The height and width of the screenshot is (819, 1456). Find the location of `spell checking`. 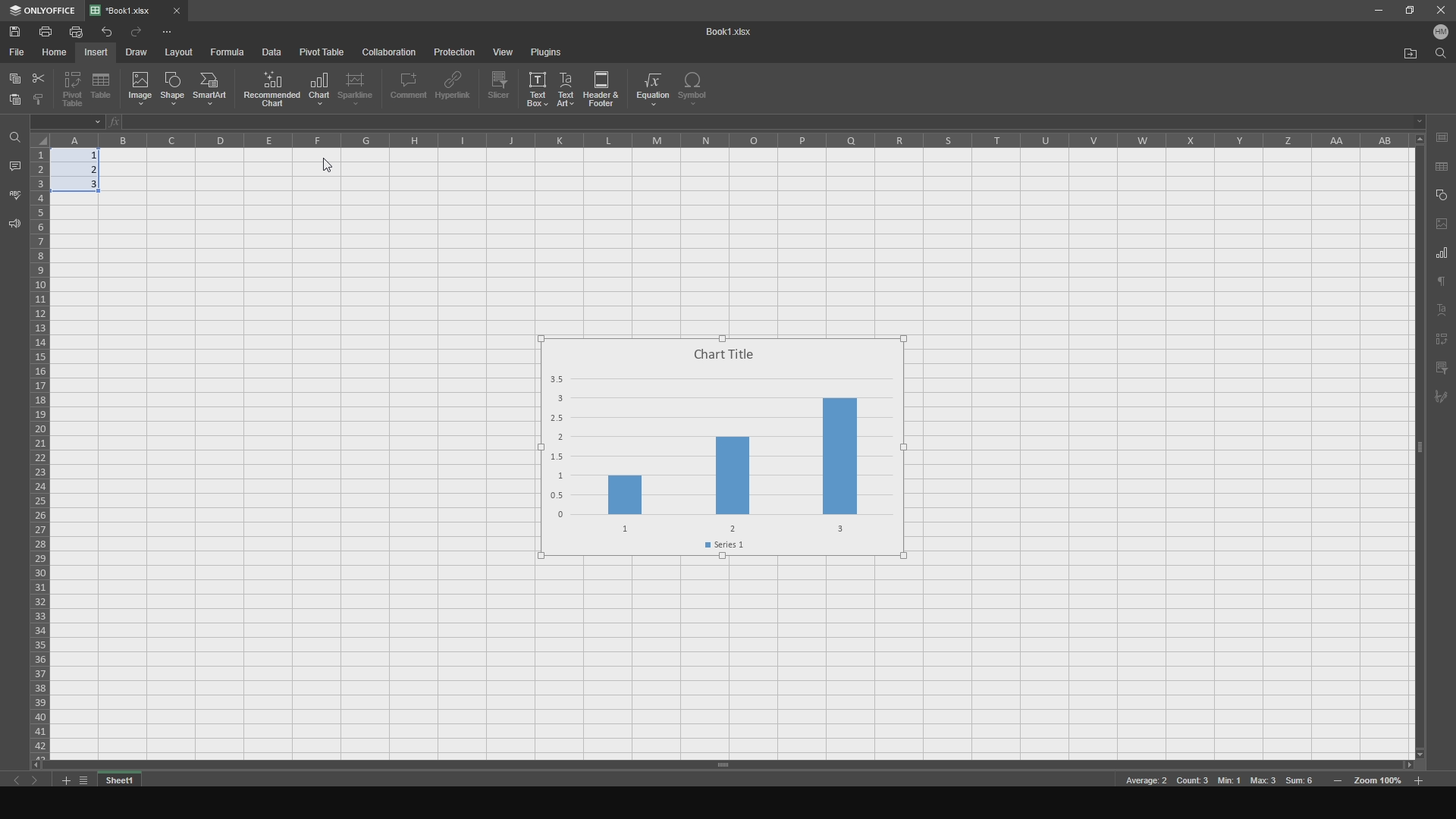

spell checking is located at coordinates (14, 194).